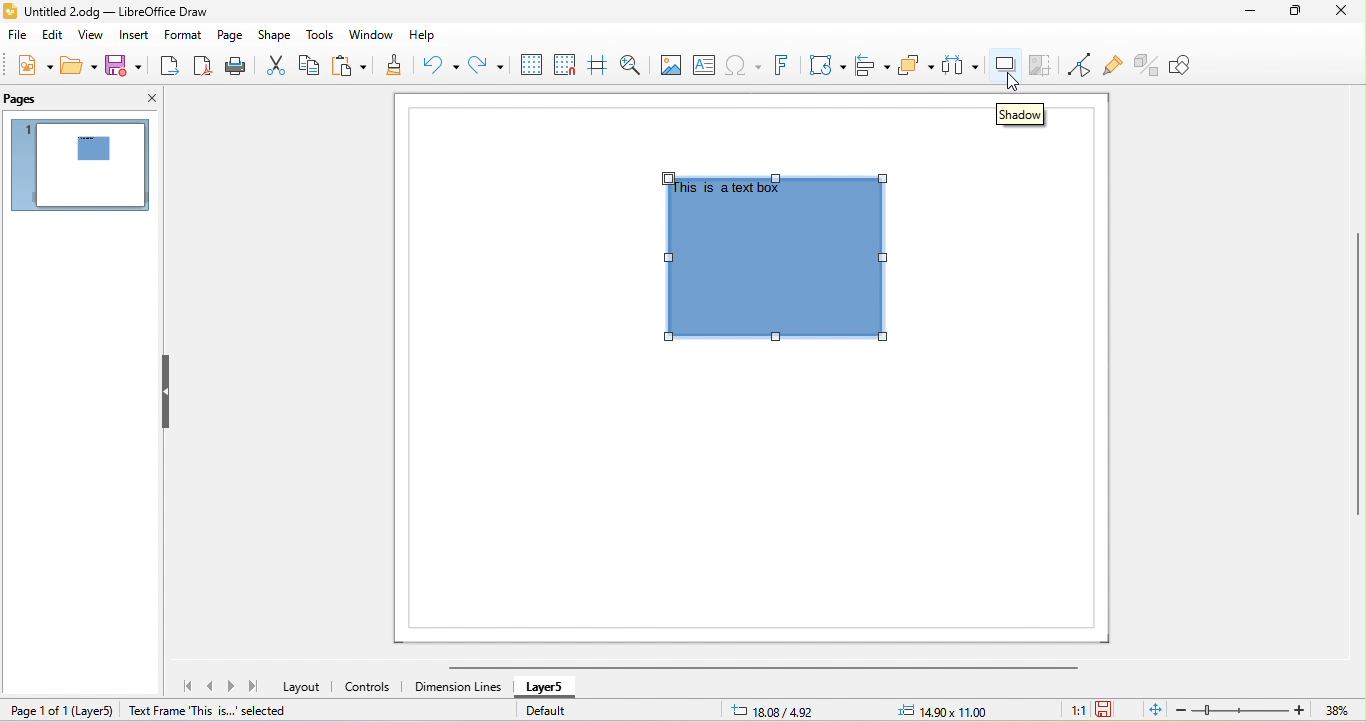  I want to click on zoom and pan, so click(636, 64).